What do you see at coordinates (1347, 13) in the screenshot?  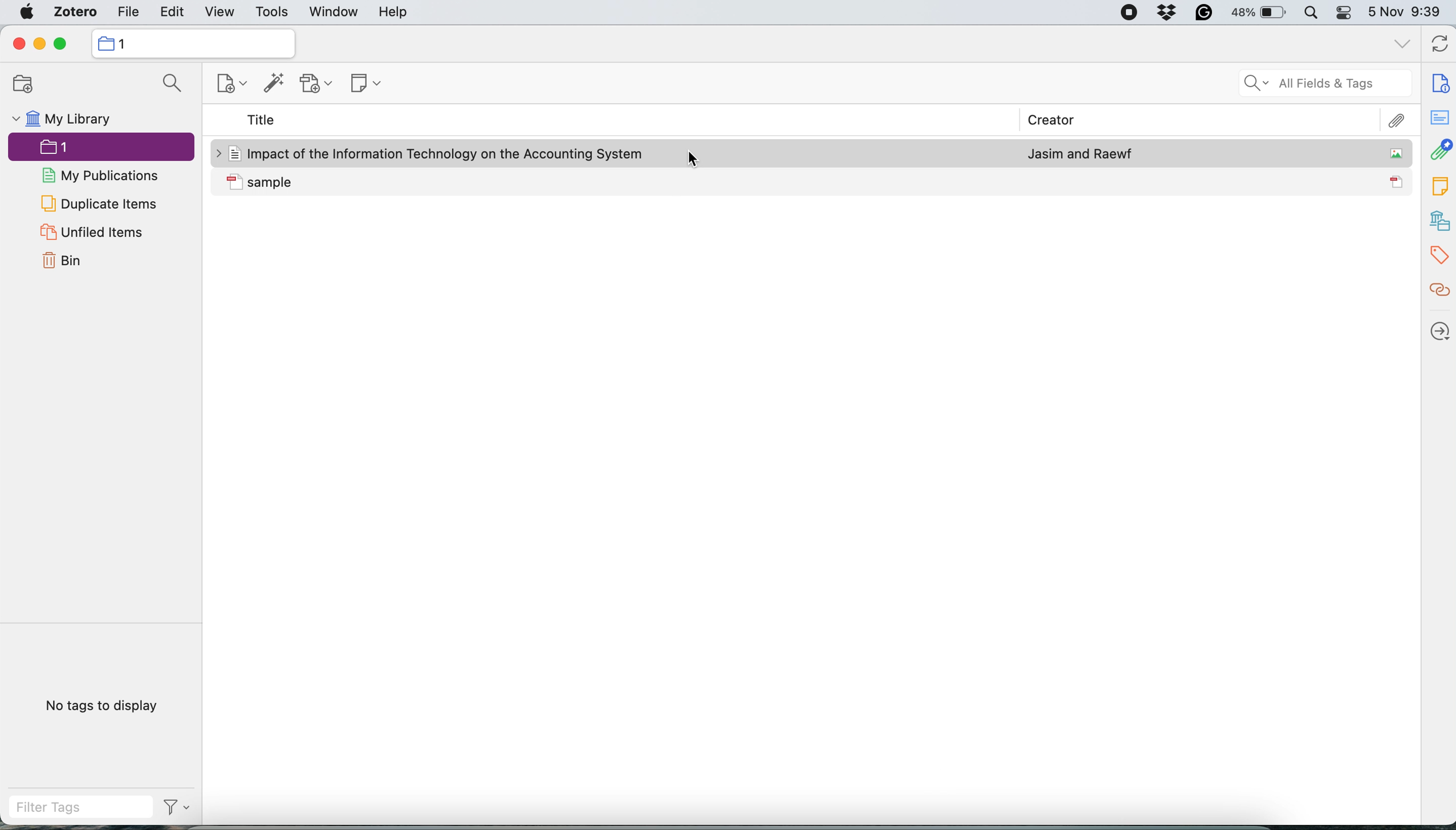 I see `control center` at bounding box center [1347, 13].